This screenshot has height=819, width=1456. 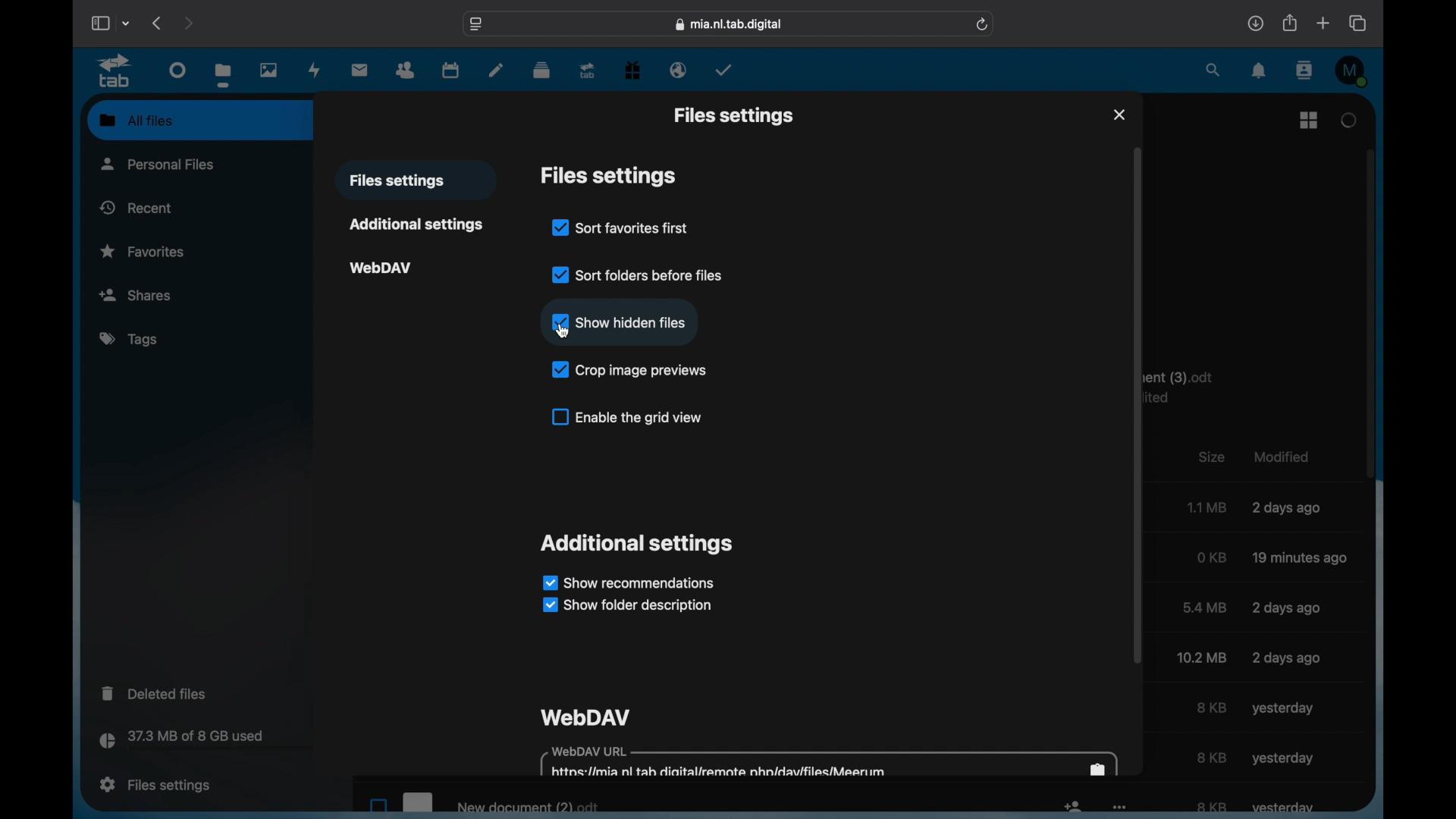 I want to click on deck, so click(x=541, y=71).